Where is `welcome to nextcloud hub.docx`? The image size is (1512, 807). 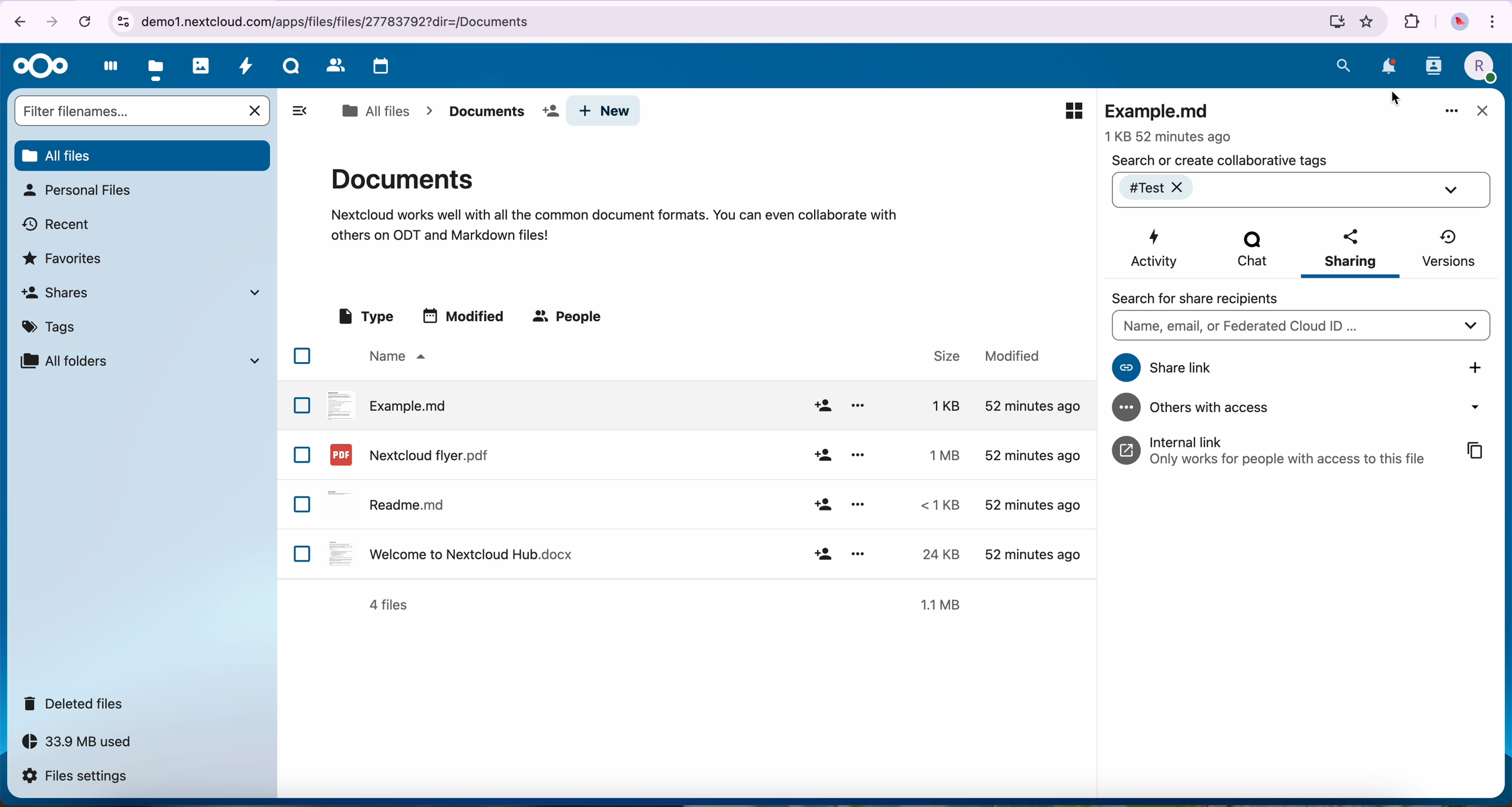
welcome to nextcloud hub.docx is located at coordinates (448, 553).